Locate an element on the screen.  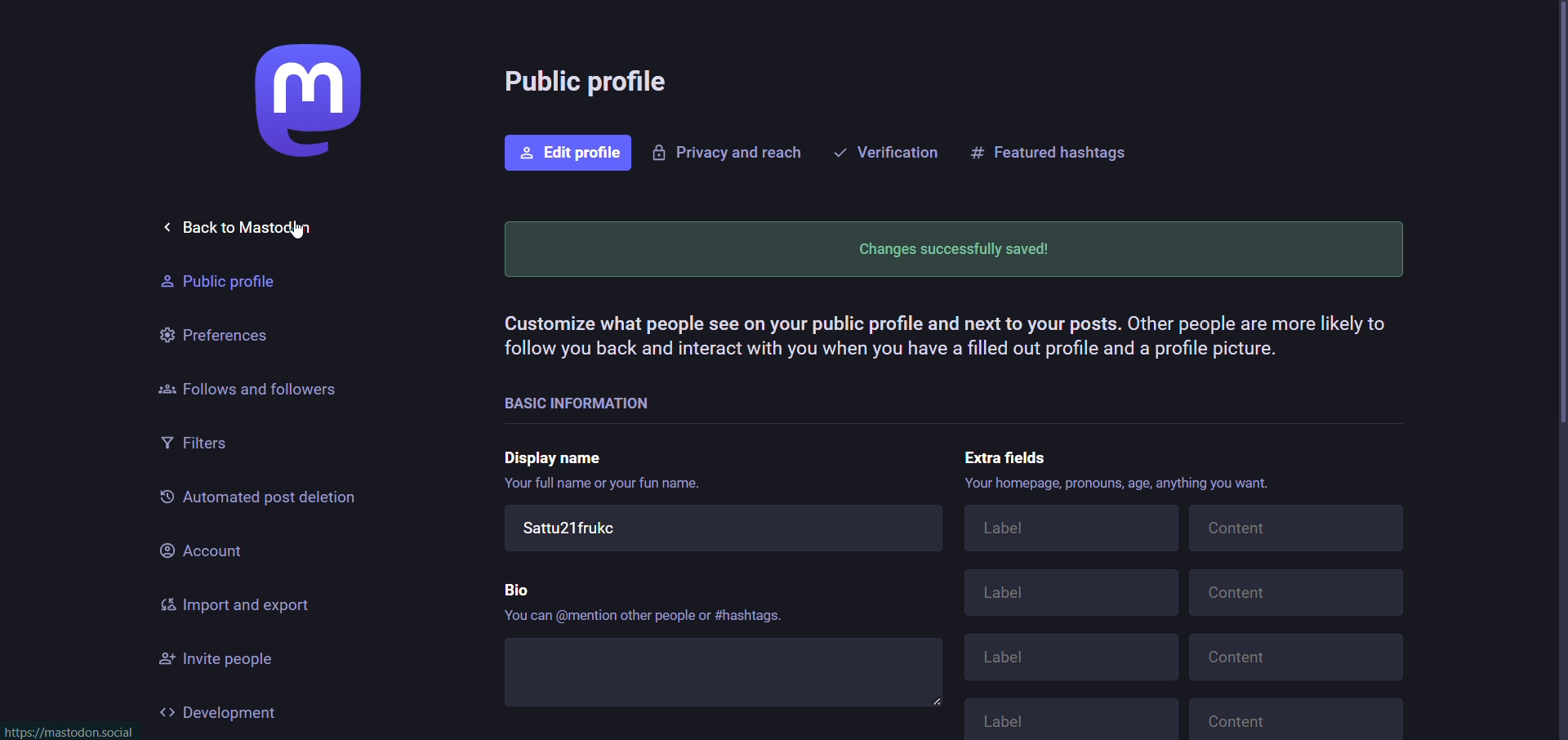
Sattu21fruke  is located at coordinates (724, 531).